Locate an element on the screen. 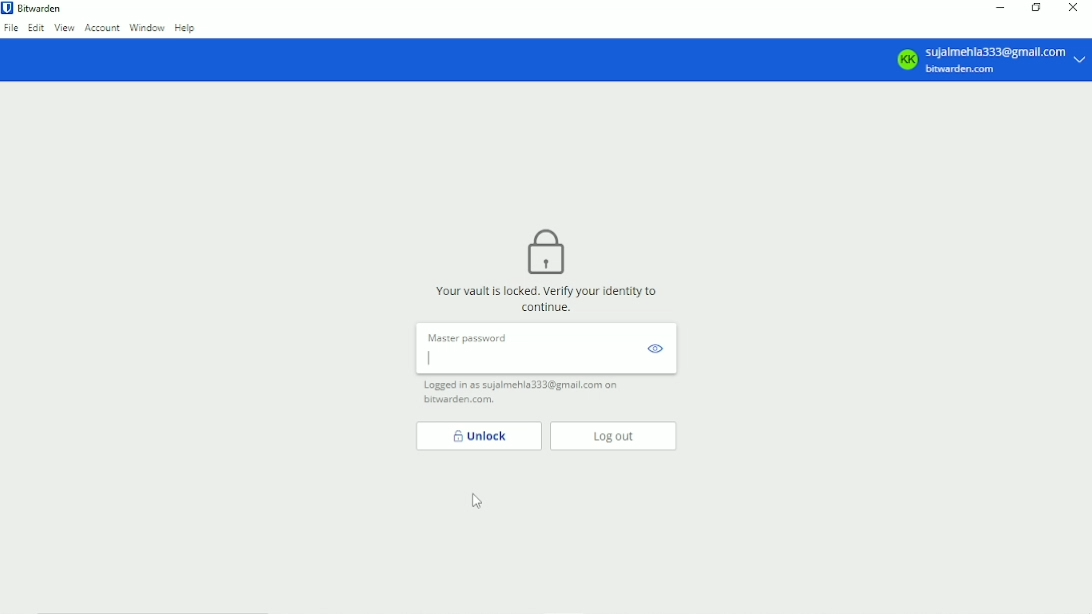 Image resolution: width=1092 pixels, height=614 pixels. Window is located at coordinates (147, 28).